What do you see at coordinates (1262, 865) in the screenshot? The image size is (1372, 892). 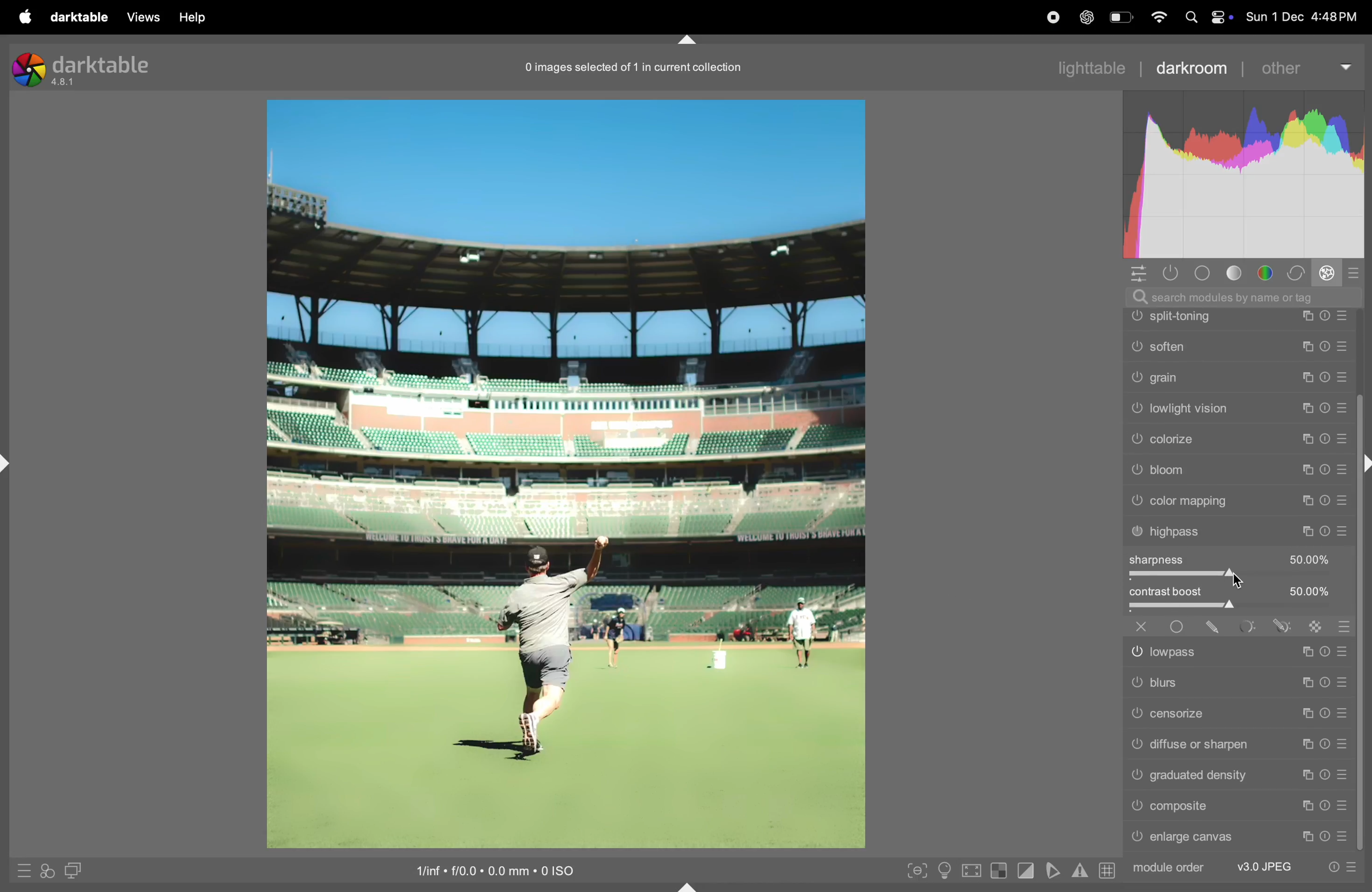 I see `v3 jpeg` at bounding box center [1262, 865].